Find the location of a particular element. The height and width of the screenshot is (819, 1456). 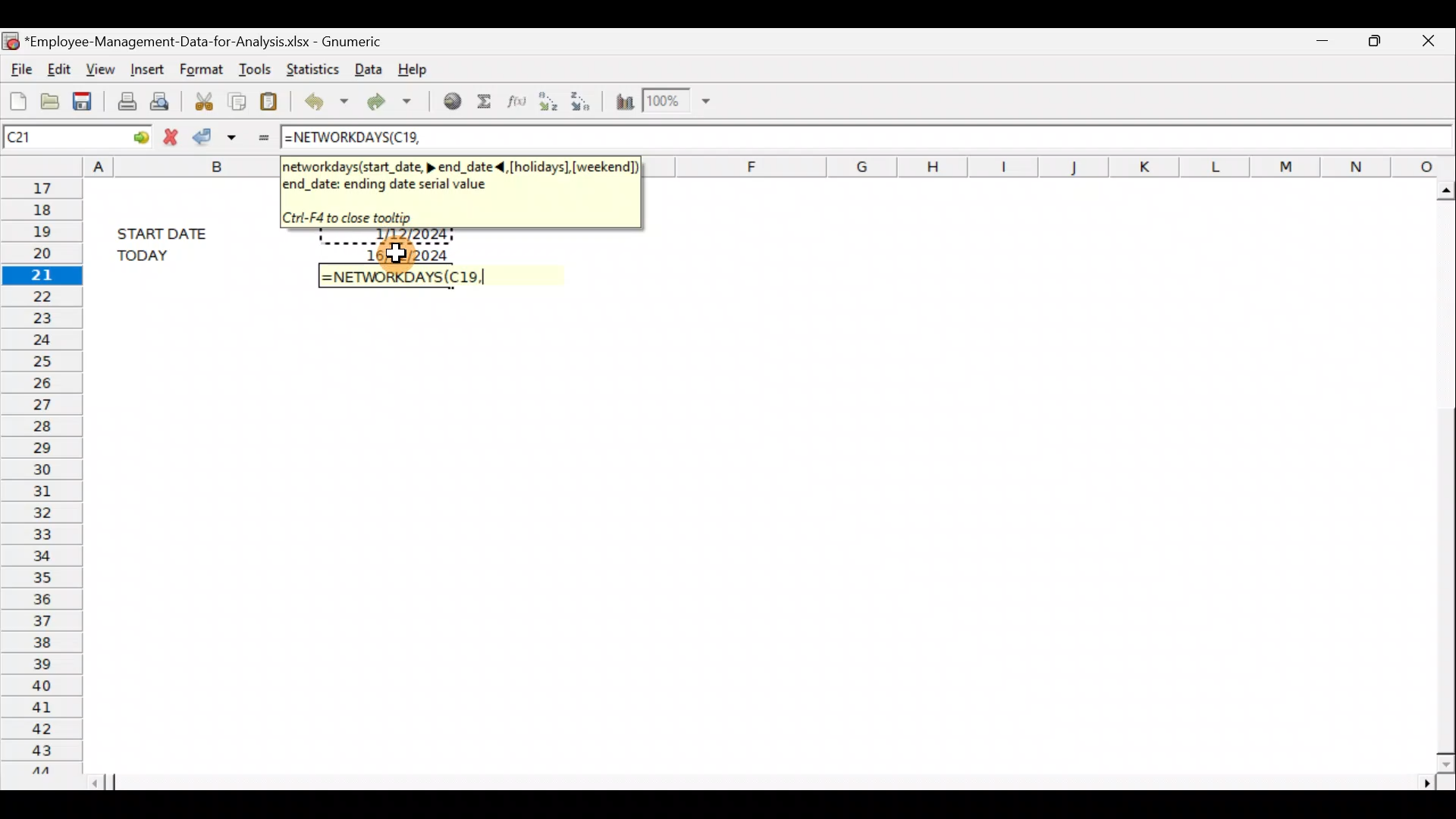

networkworkdays(start_date >,end_date, <[holidays], [weekend],end_date: ending date serial value. Ctrl +F4 to close tooltip is located at coordinates (459, 190).